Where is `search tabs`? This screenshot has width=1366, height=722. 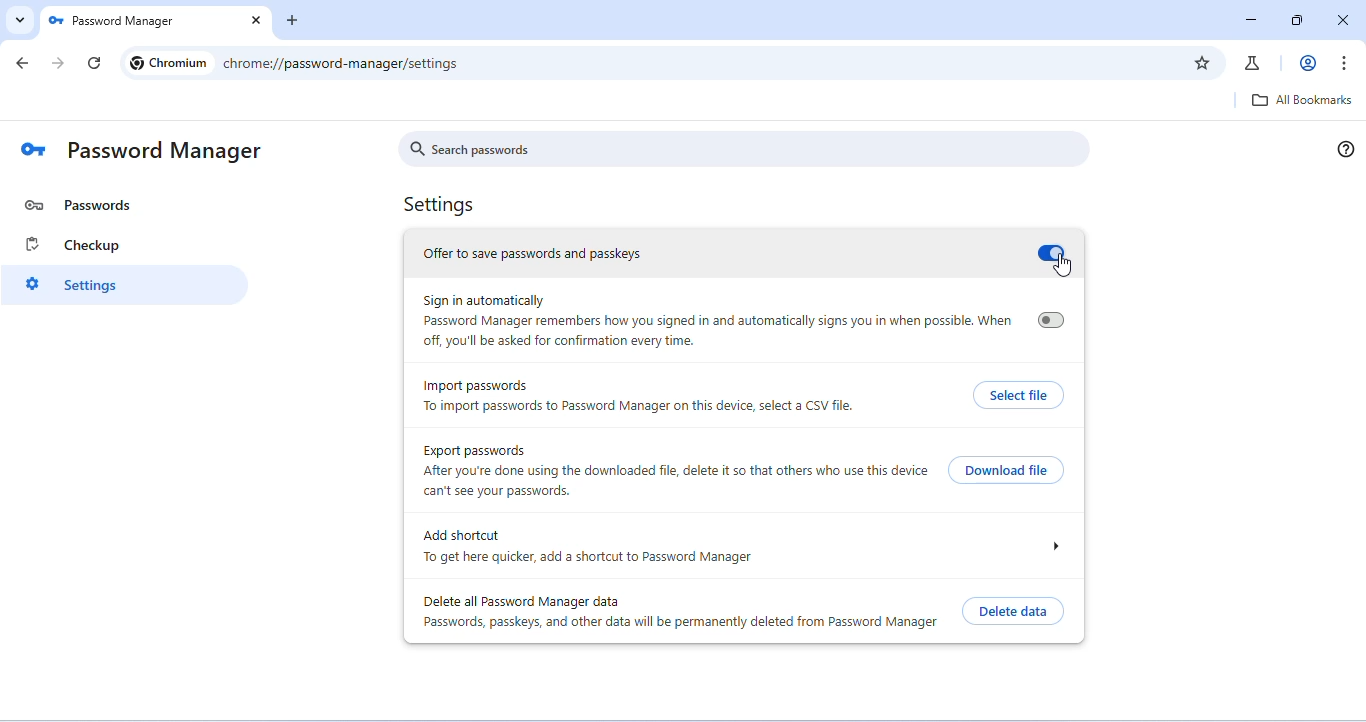 search tabs is located at coordinates (20, 21).